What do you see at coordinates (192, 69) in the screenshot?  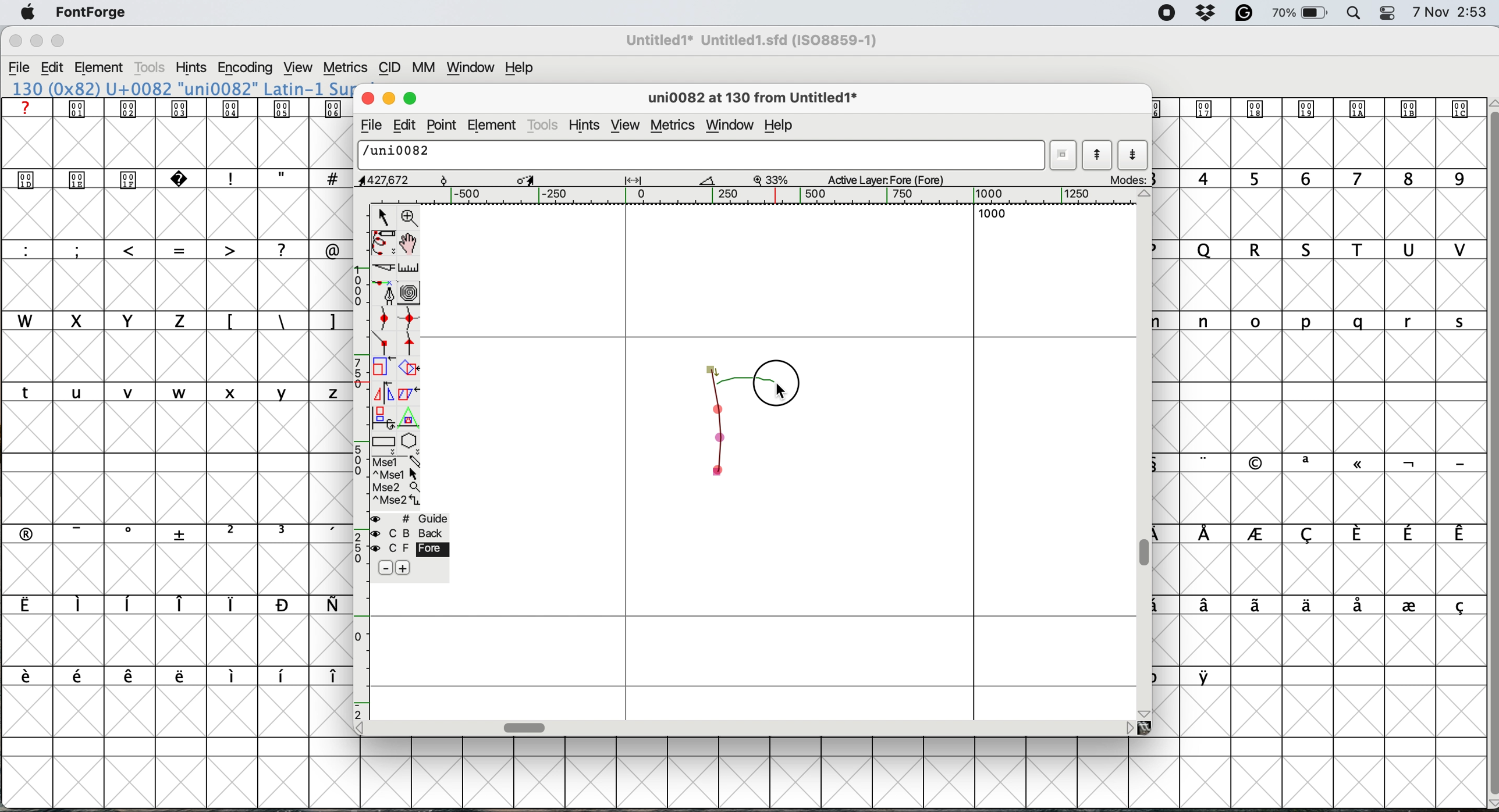 I see `hints` at bounding box center [192, 69].